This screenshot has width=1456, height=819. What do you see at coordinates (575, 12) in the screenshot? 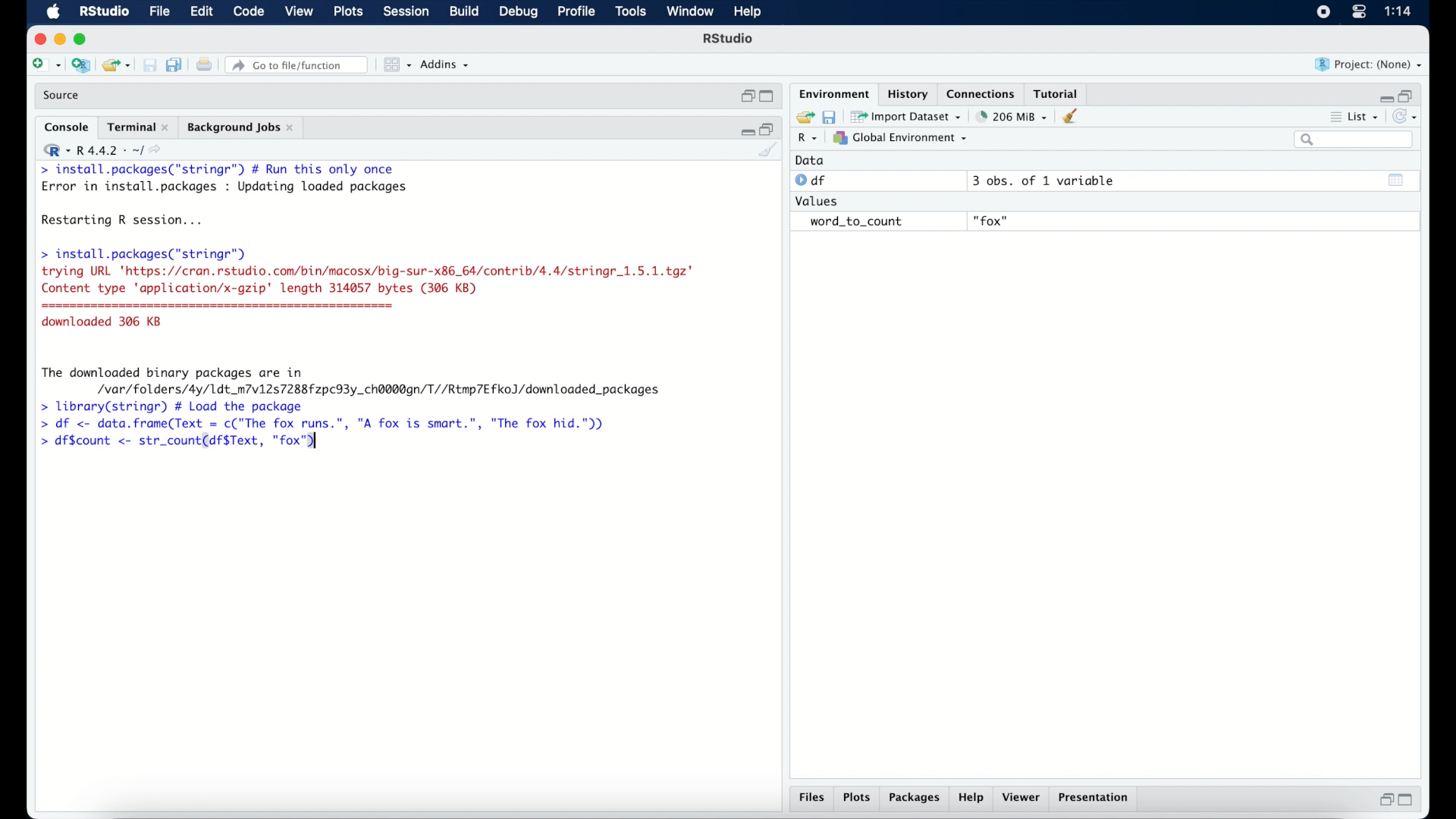
I see `profile` at bounding box center [575, 12].